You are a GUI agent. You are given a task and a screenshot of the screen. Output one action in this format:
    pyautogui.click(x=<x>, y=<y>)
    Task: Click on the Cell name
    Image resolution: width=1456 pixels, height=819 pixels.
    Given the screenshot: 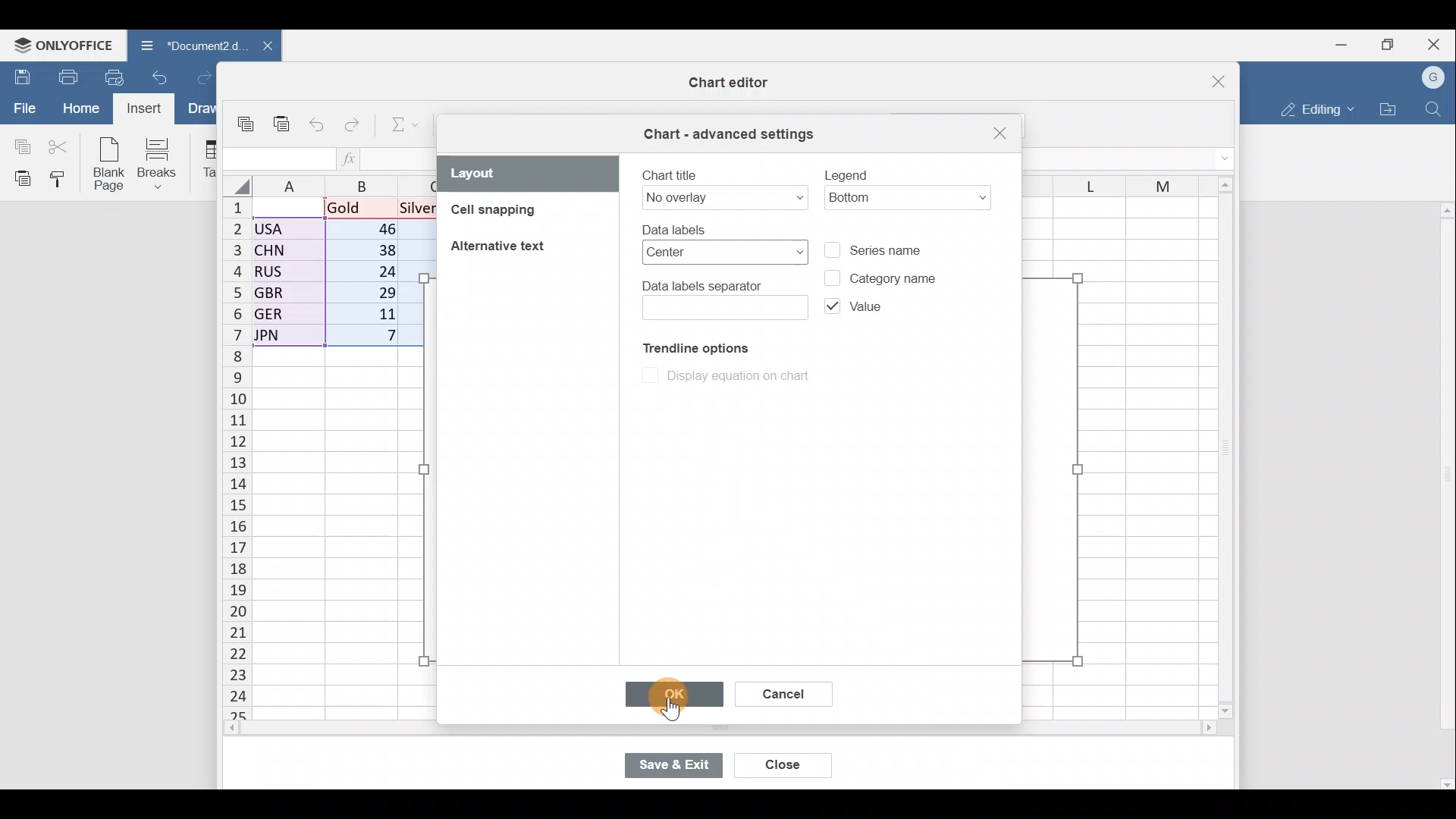 What is the action you would take?
    pyautogui.click(x=277, y=159)
    